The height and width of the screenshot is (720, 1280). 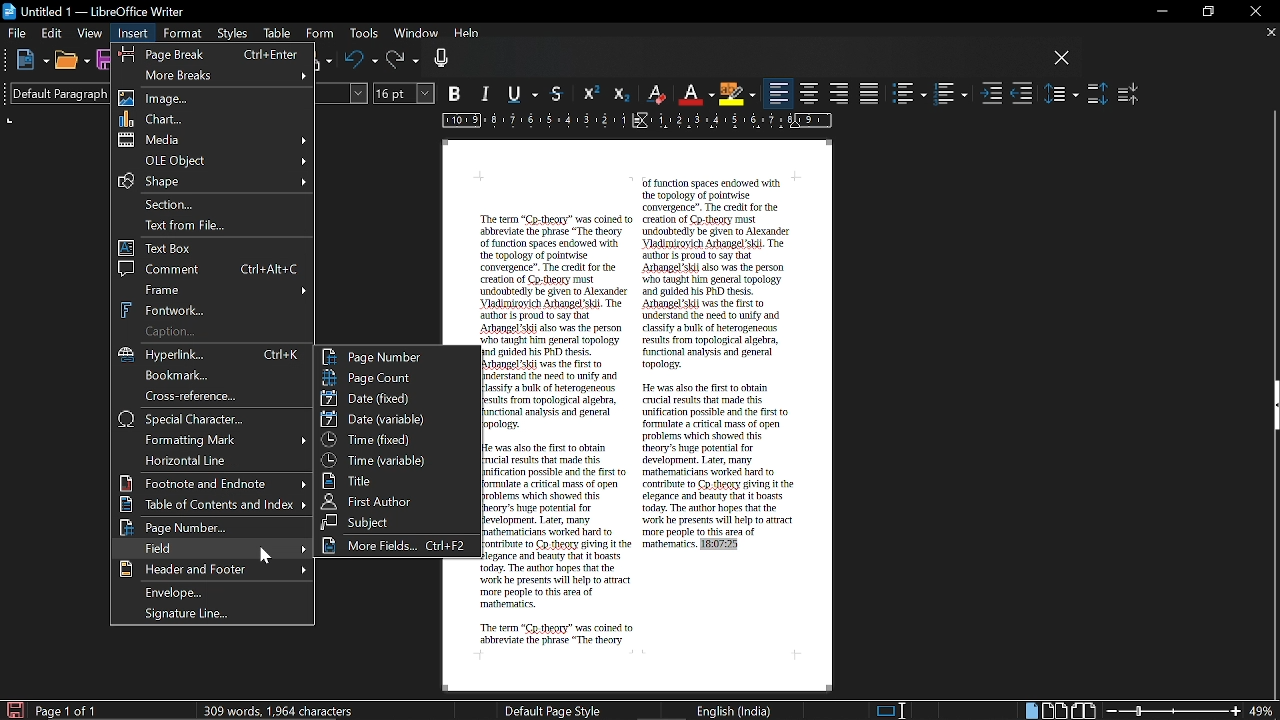 I want to click on of function spaces endowed with the topology of pointwise convergence". The credit for the creation of Cp theory must undoubtedly be given to Alexander Vladimirovich Arbangel'skil. The author is proud to say that Arbangel'skii also was the person who taught him general topology and guided his PhD thesis. Arbangel'skil was the first to understand the need to unify and classify a bulk of herogeneous results from topological algebra, functional analysis and general topology.  He was also the first to obtain crucial results that made this unification possible and the first to formulate a critical mass of open problems which showed this theory's huge potential for development. Later, many mathematicians worked hard to contribute to Co theory giving it the elegance and beauty that it boasts today. The author hopes that the work he presents will help to attract more people to this area of , so click(x=719, y=358).